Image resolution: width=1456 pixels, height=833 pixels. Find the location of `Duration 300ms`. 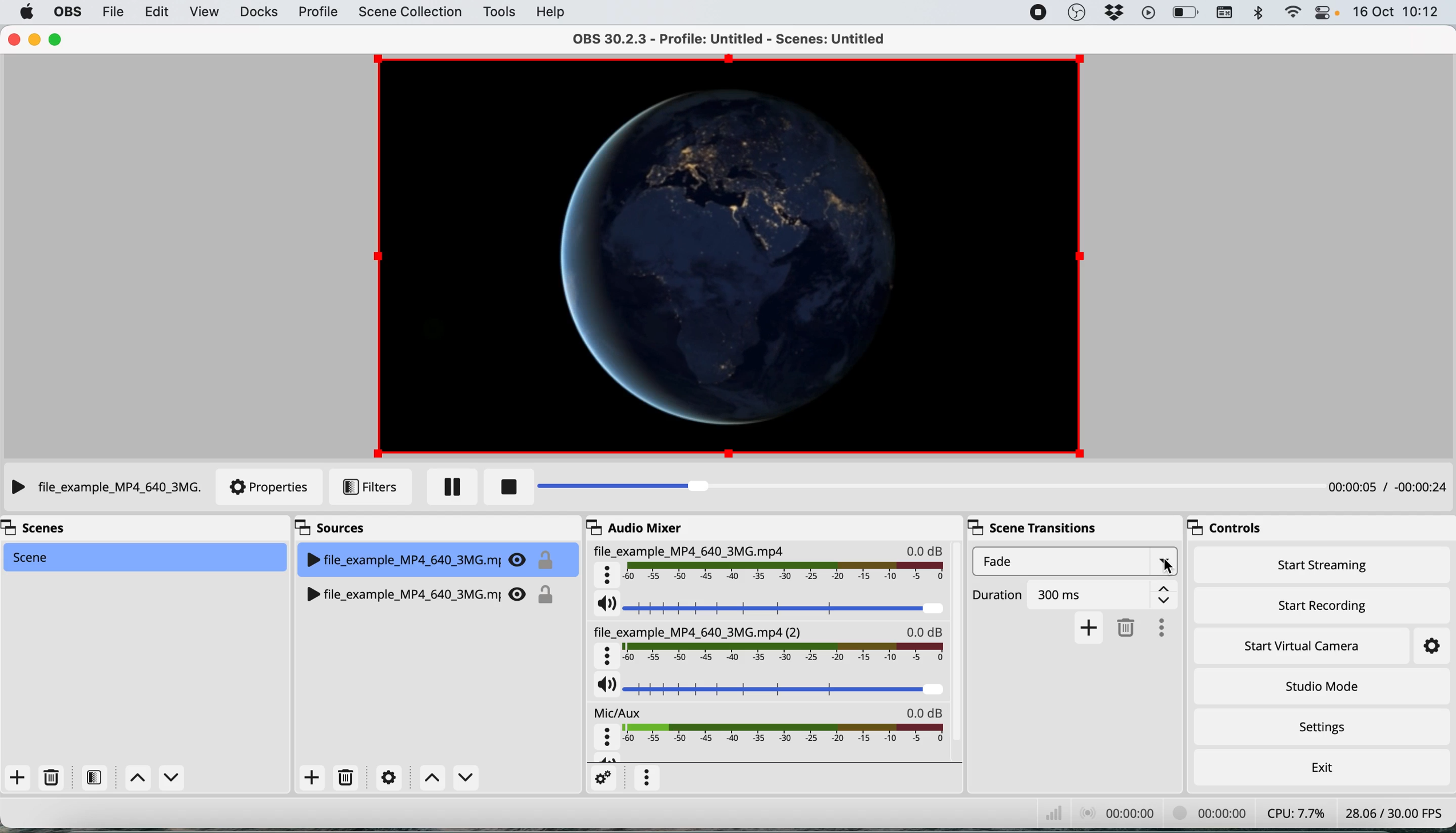

Duration 300ms is located at coordinates (1071, 594).